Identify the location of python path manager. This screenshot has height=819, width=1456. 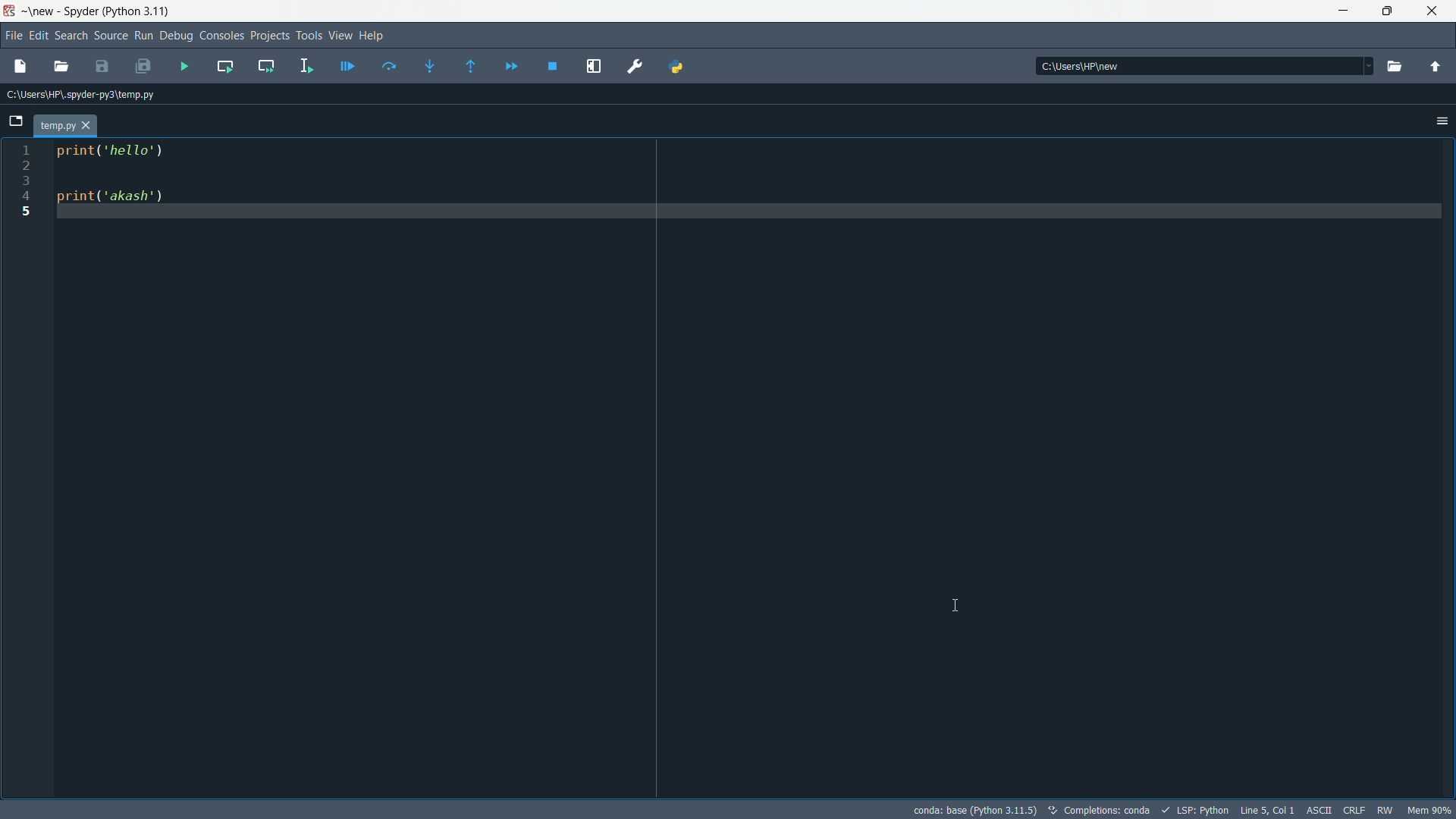
(679, 65).